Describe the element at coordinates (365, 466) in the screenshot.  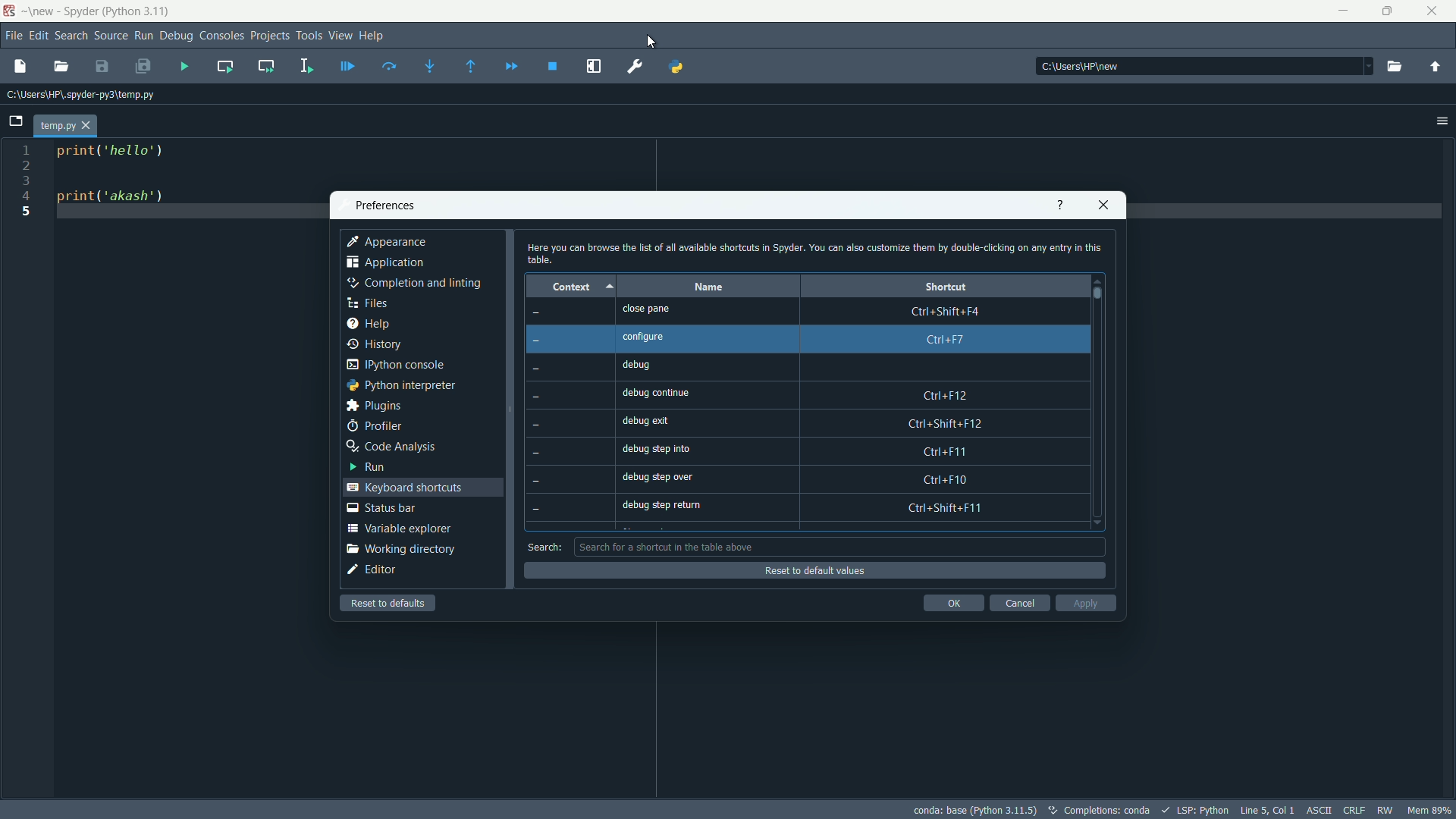
I see `run` at that location.